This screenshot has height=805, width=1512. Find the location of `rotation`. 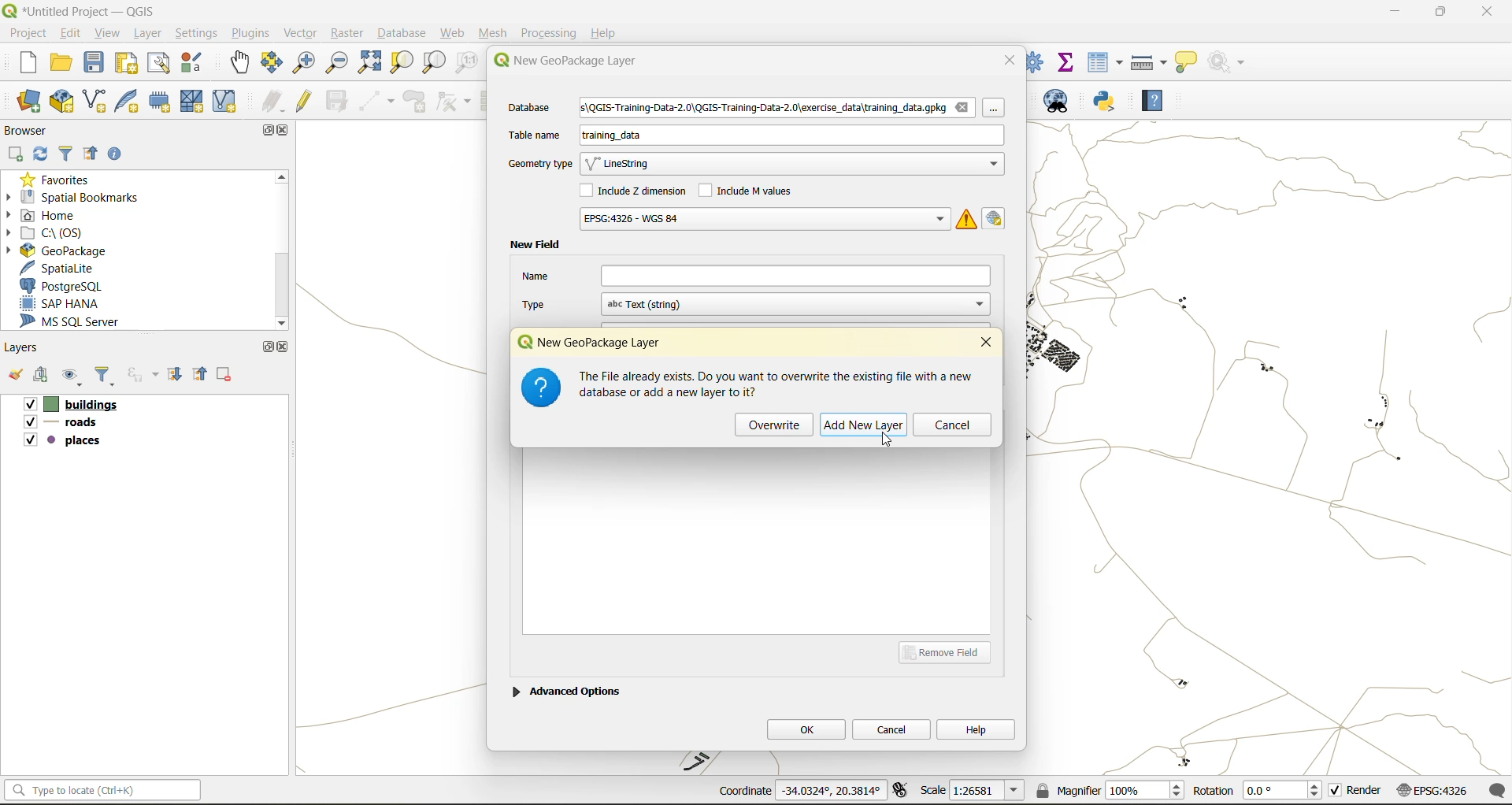

rotation is located at coordinates (1258, 792).